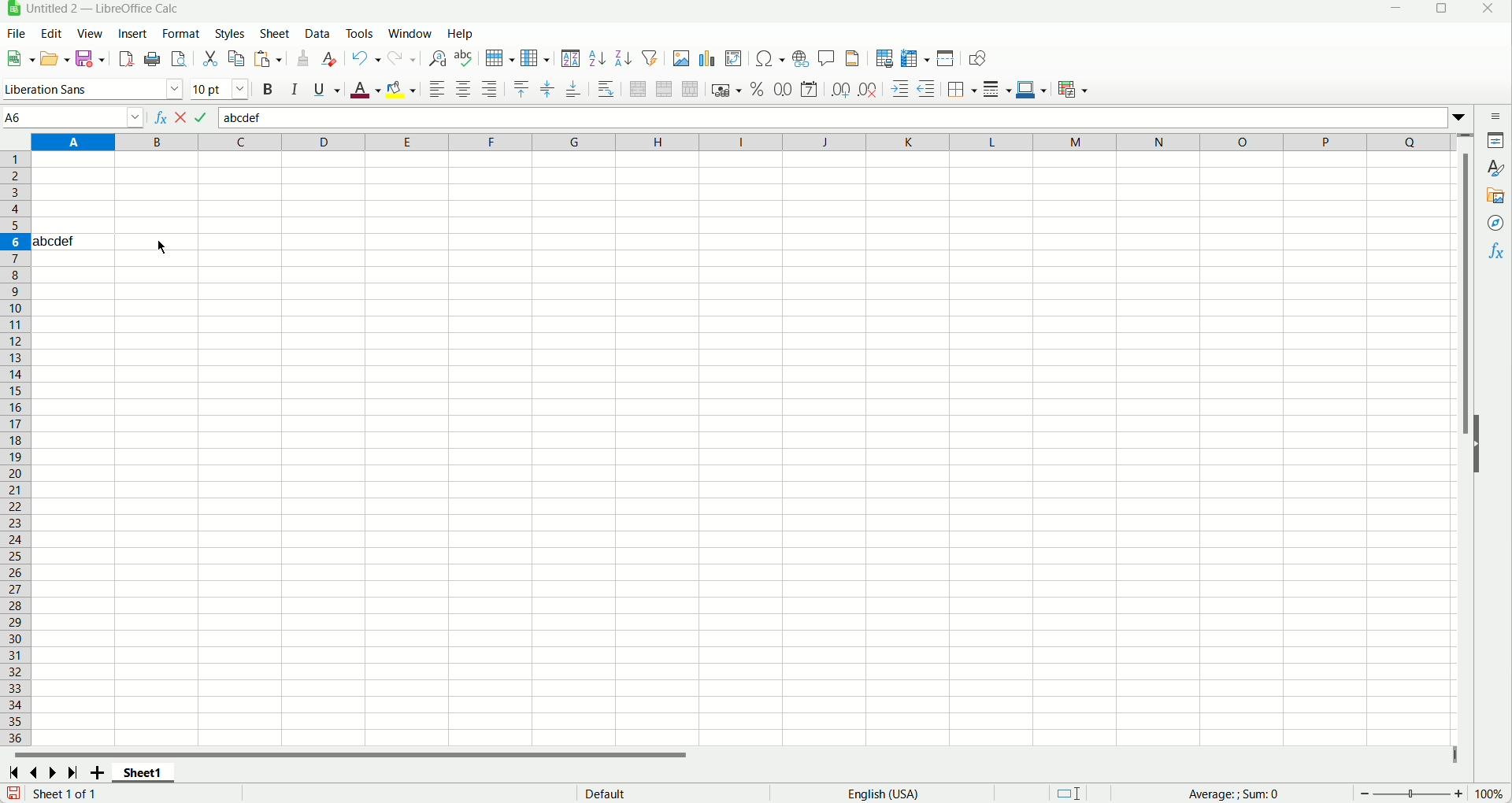 The width and height of the screenshot is (1512, 803). I want to click on font name, so click(91, 88).